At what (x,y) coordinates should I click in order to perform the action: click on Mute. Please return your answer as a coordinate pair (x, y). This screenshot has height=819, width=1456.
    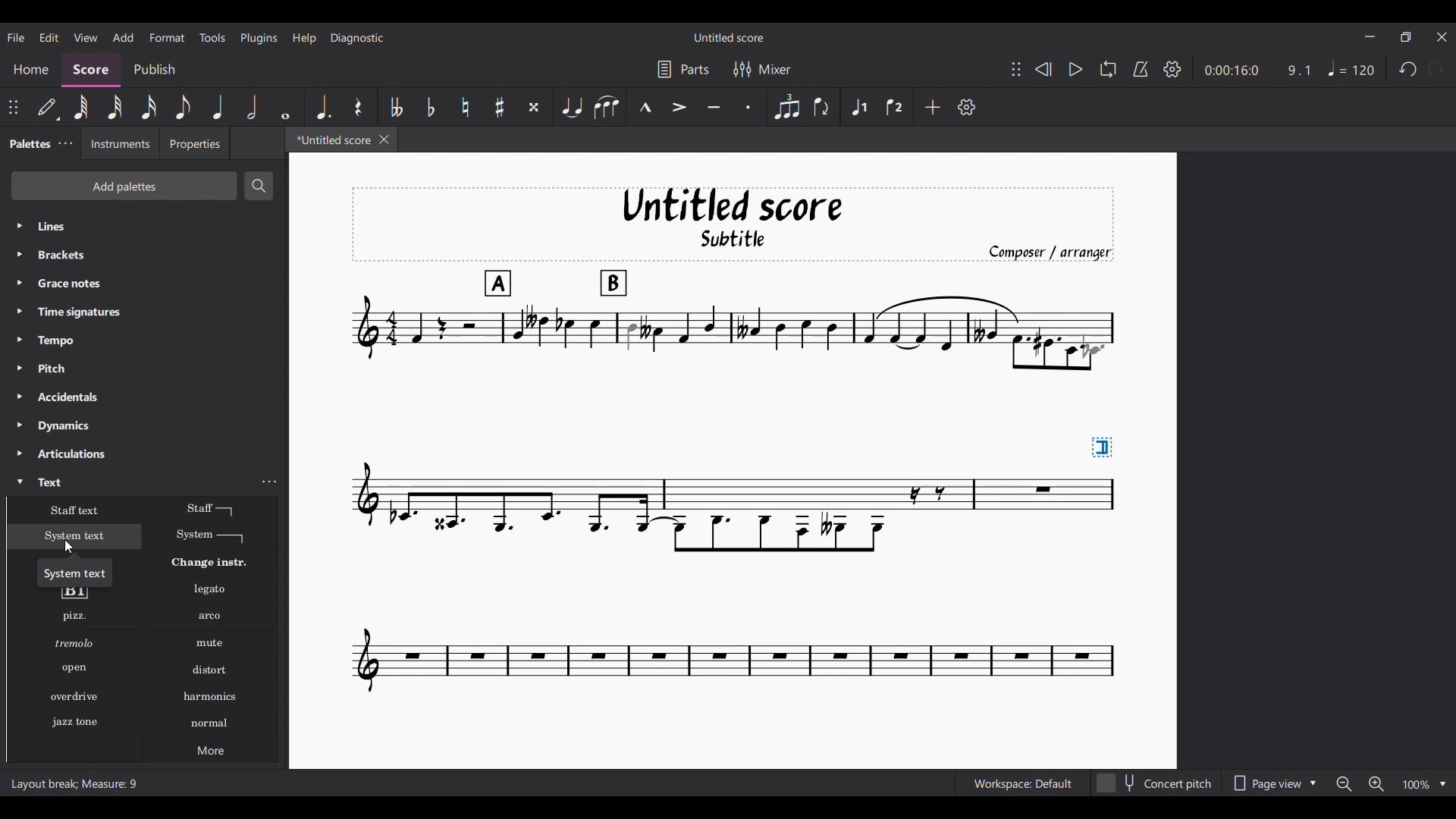
    Looking at the image, I should click on (210, 643).